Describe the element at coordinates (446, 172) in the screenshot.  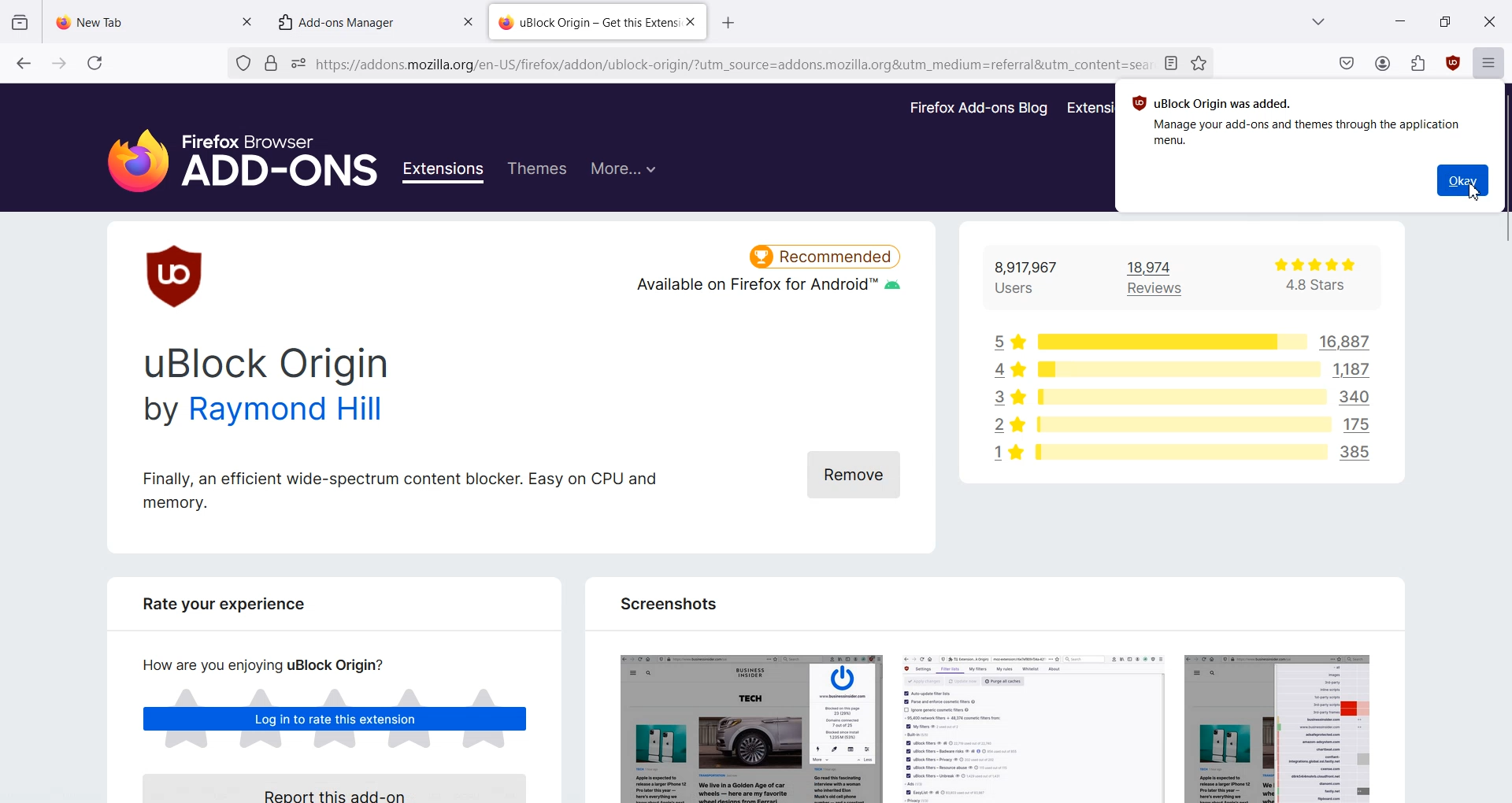
I see `Extensions ` at that location.